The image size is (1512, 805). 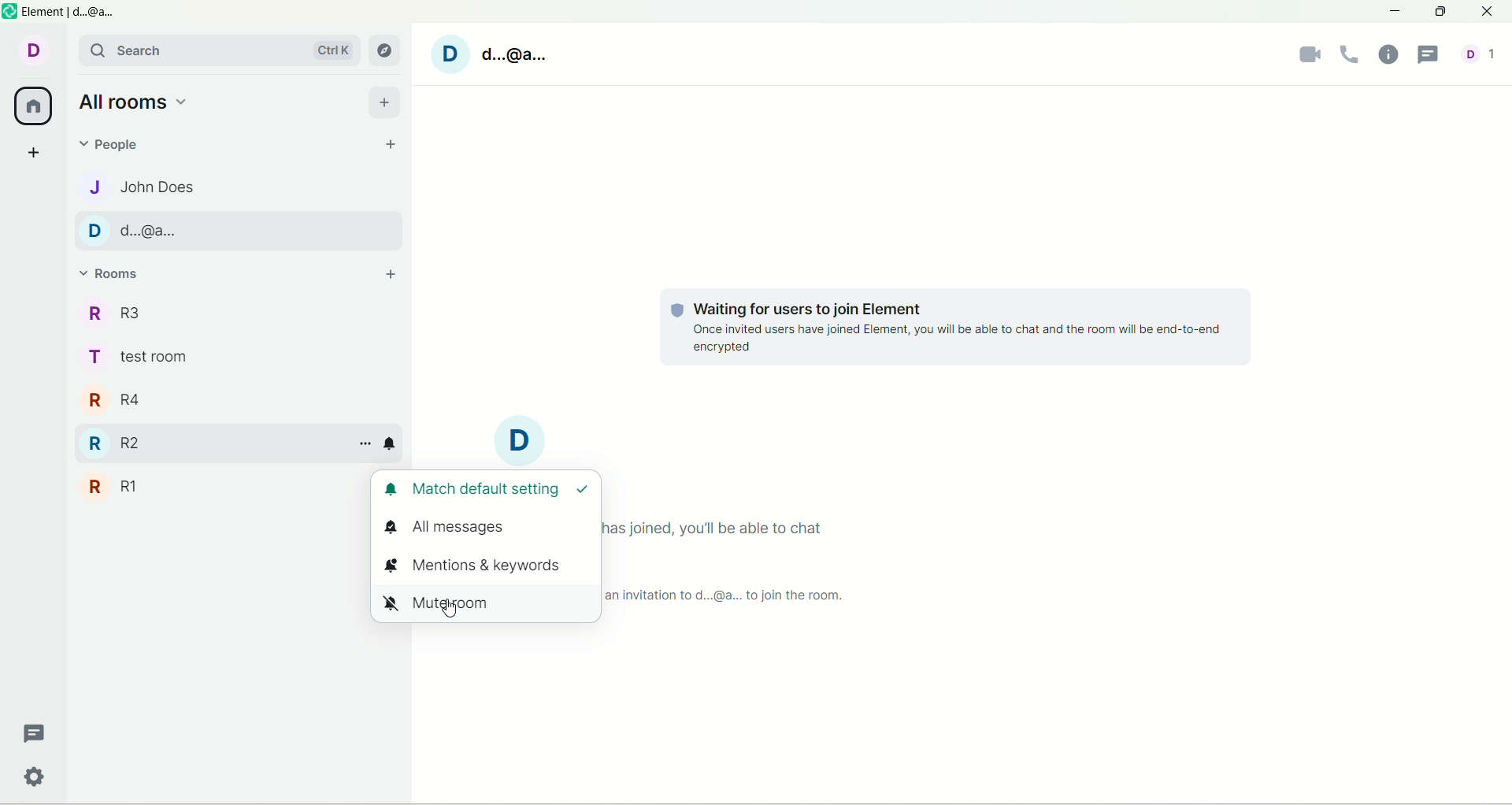 I want to click on room 4, so click(x=145, y=401).